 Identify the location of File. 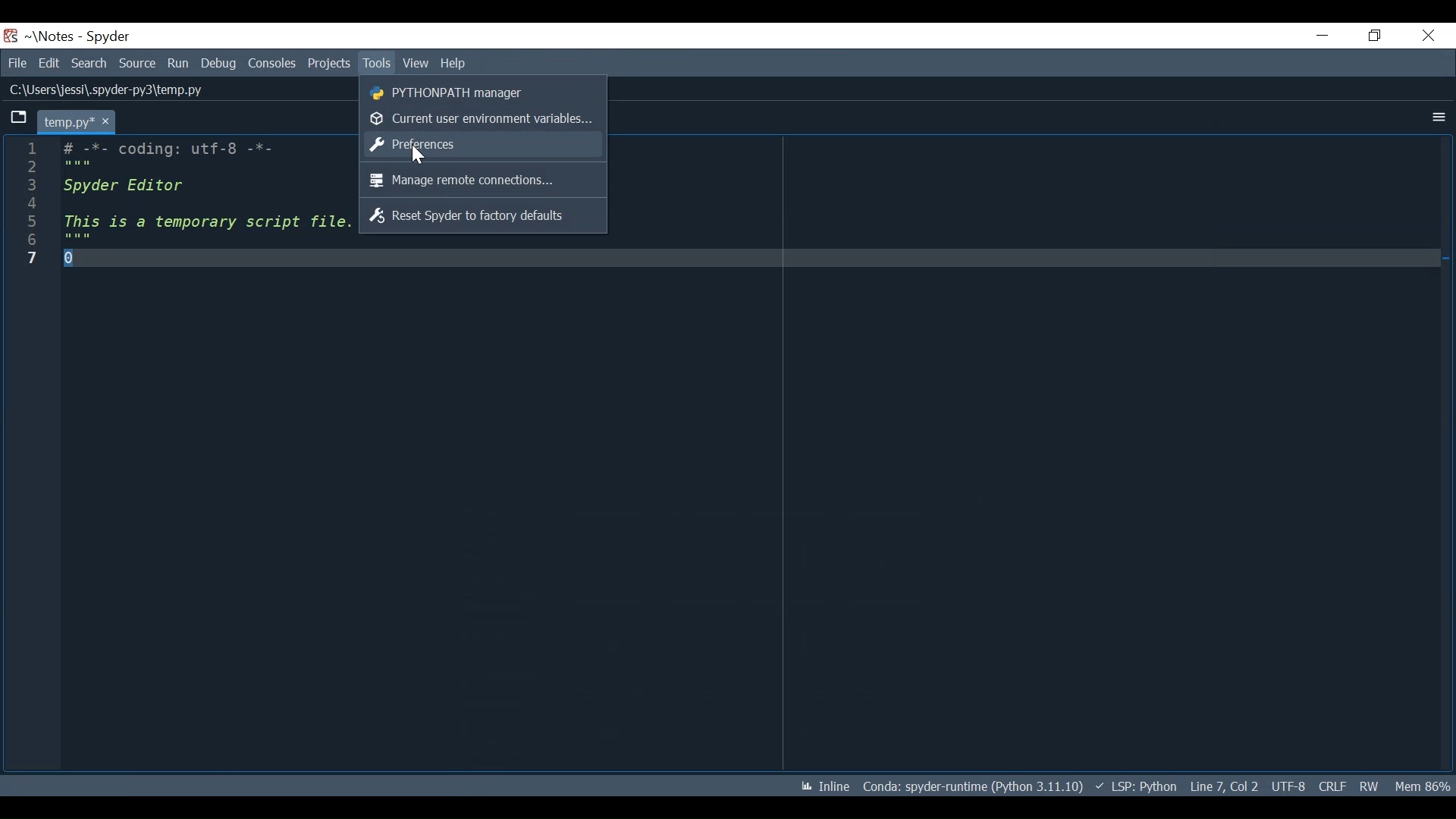
(15, 63).